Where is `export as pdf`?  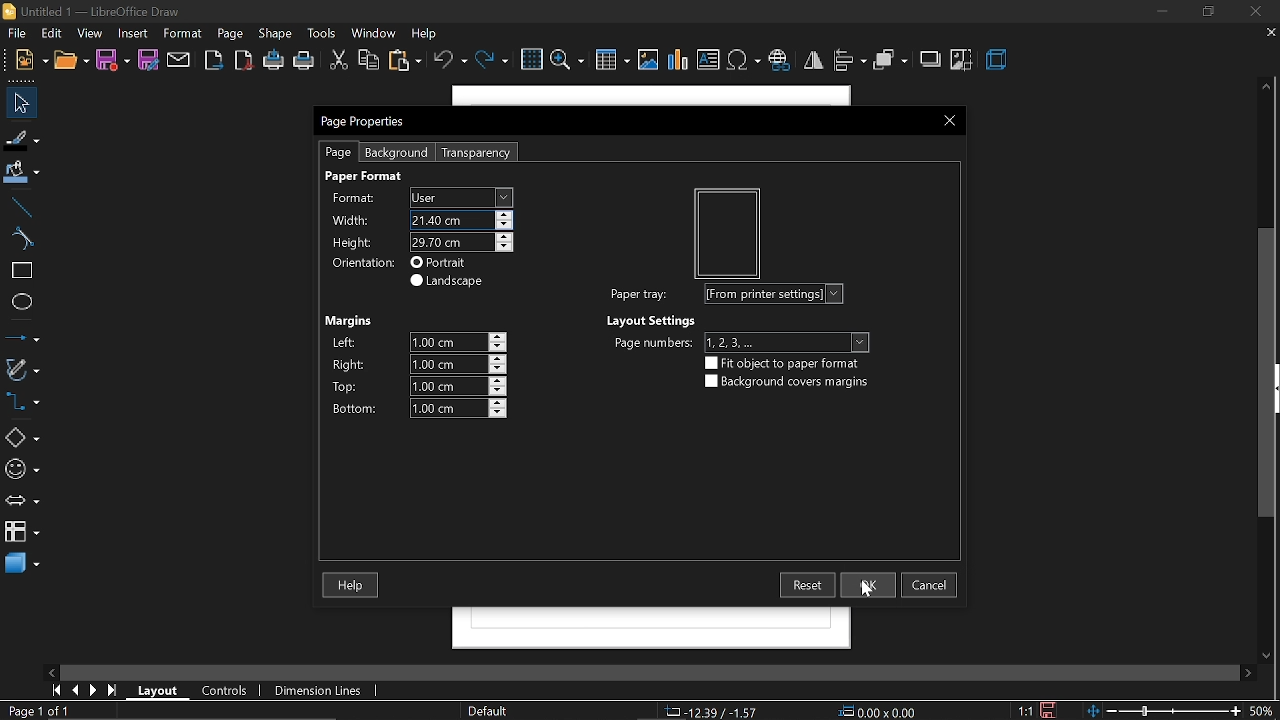
export as pdf is located at coordinates (243, 62).